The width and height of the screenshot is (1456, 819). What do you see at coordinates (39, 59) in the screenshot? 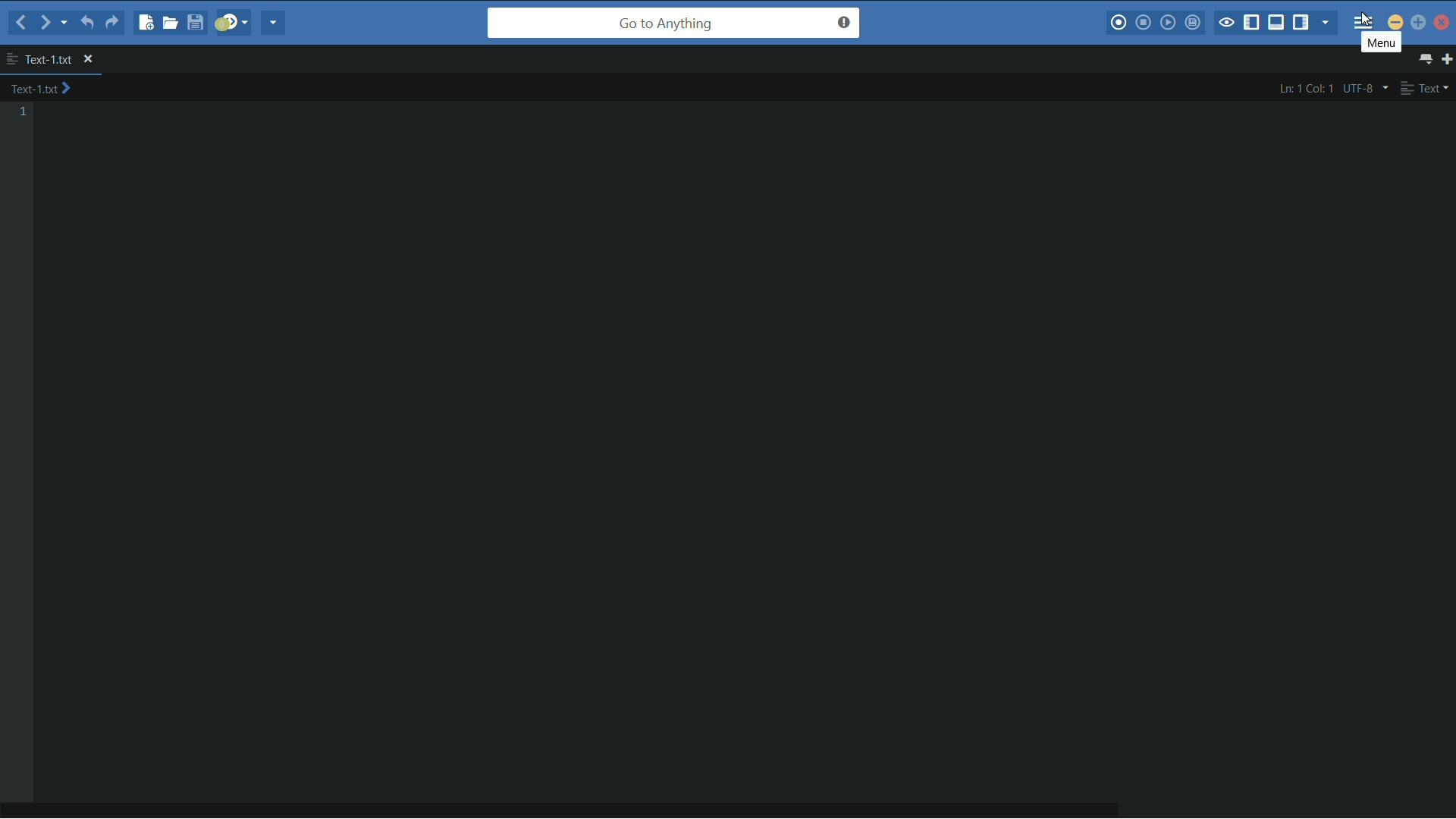
I see `text-1.txt` at bounding box center [39, 59].